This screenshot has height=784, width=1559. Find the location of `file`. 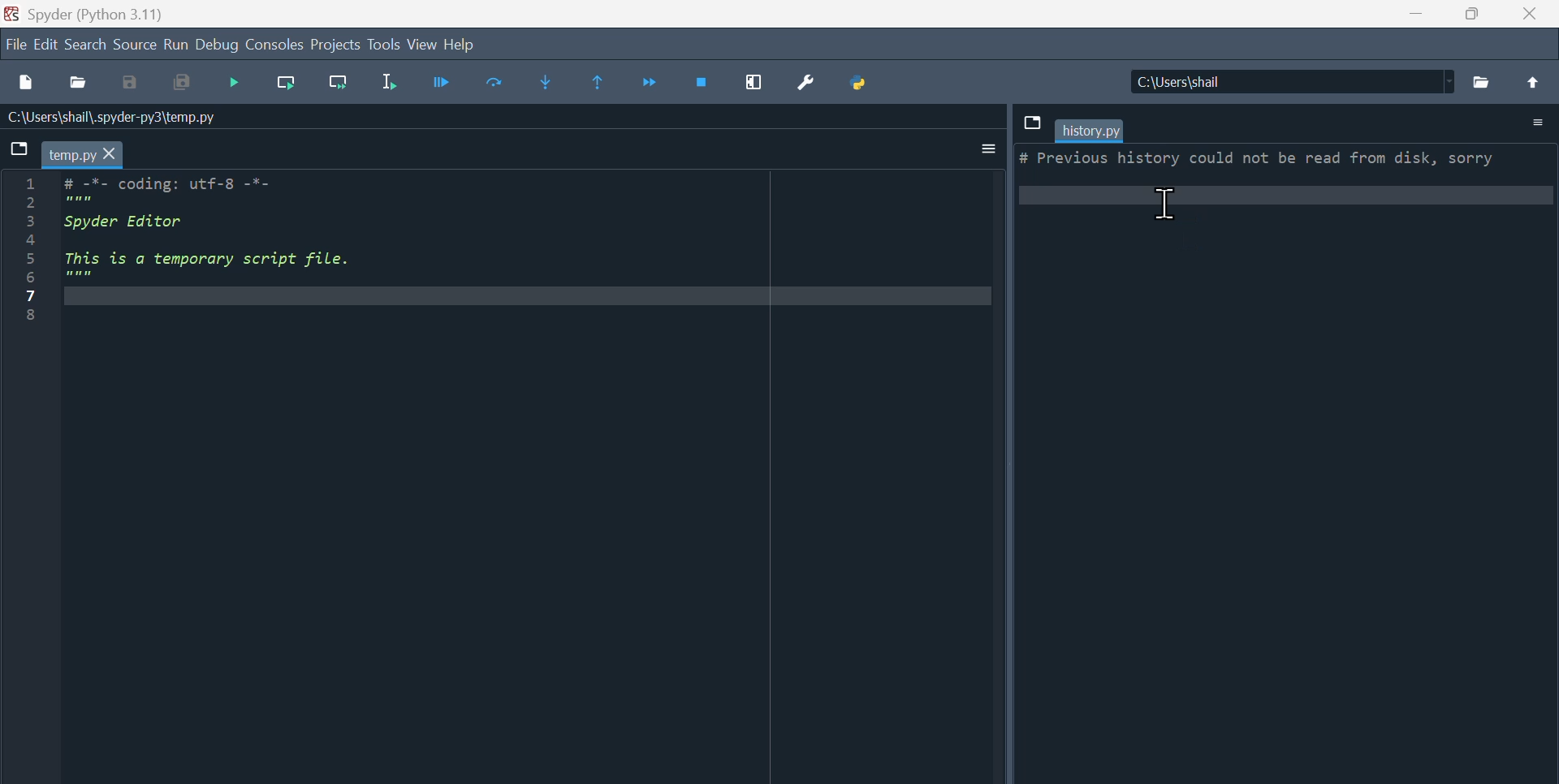

file is located at coordinates (16, 43).